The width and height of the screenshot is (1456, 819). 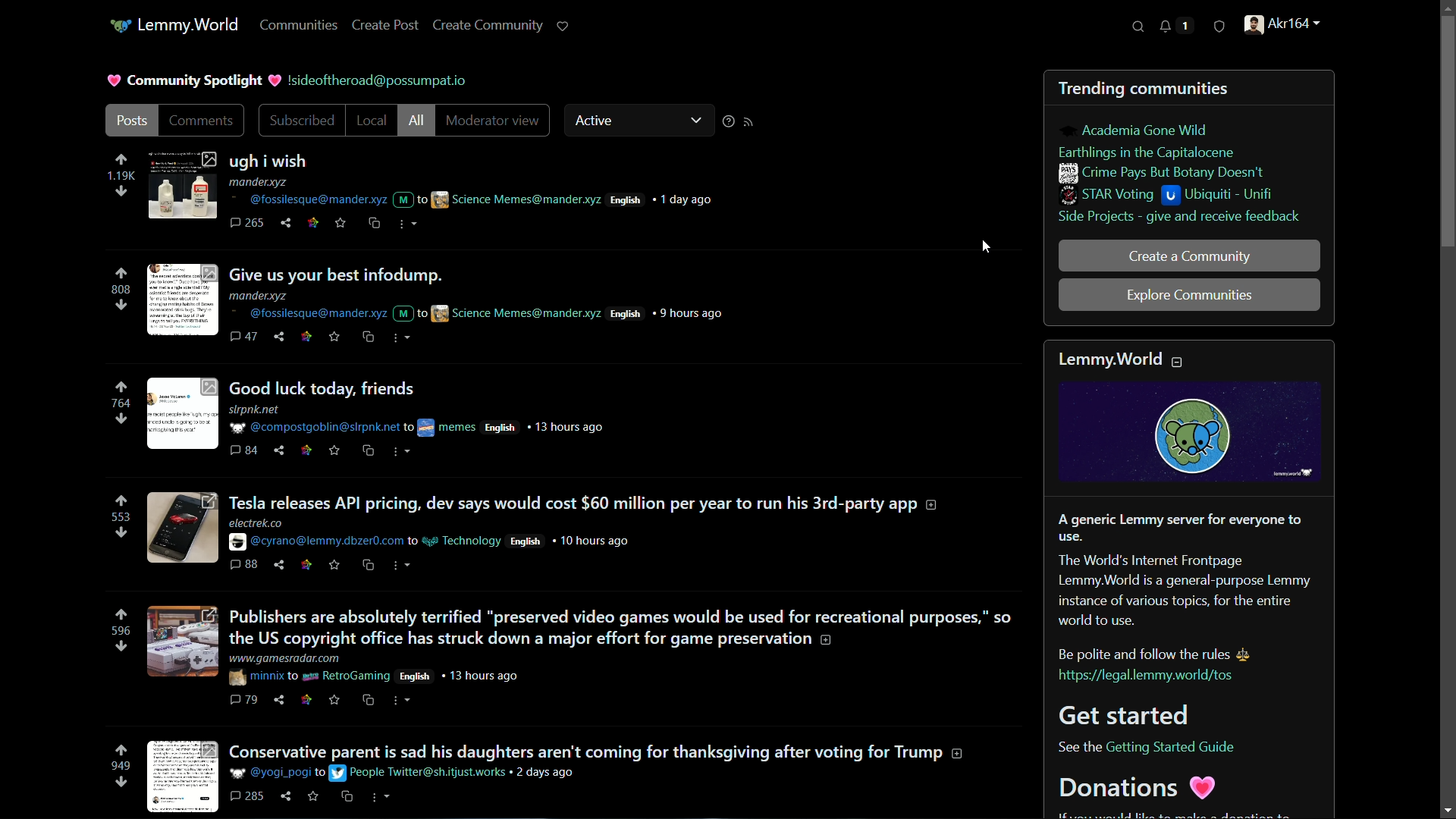 What do you see at coordinates (962, 754) in the screenshot?
I see `more information` at bounding box center [962, 754].